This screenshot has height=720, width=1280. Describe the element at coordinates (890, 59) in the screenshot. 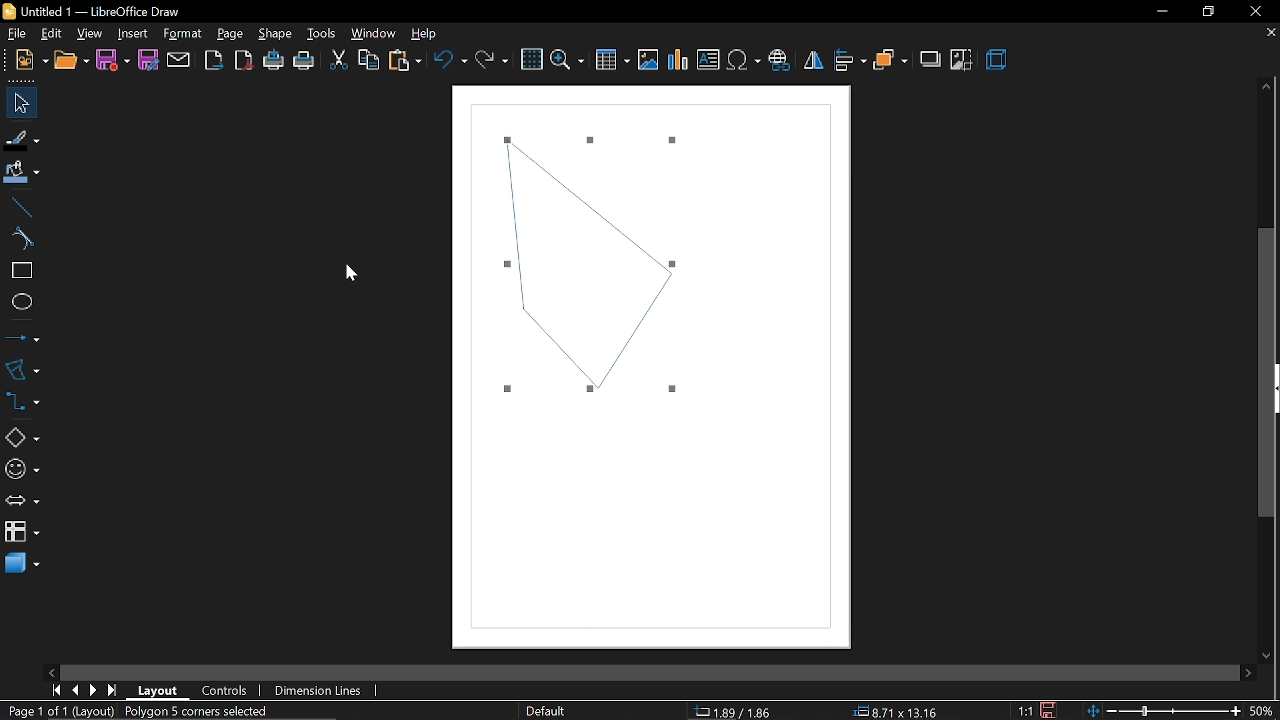

I see `arrange` at that location.